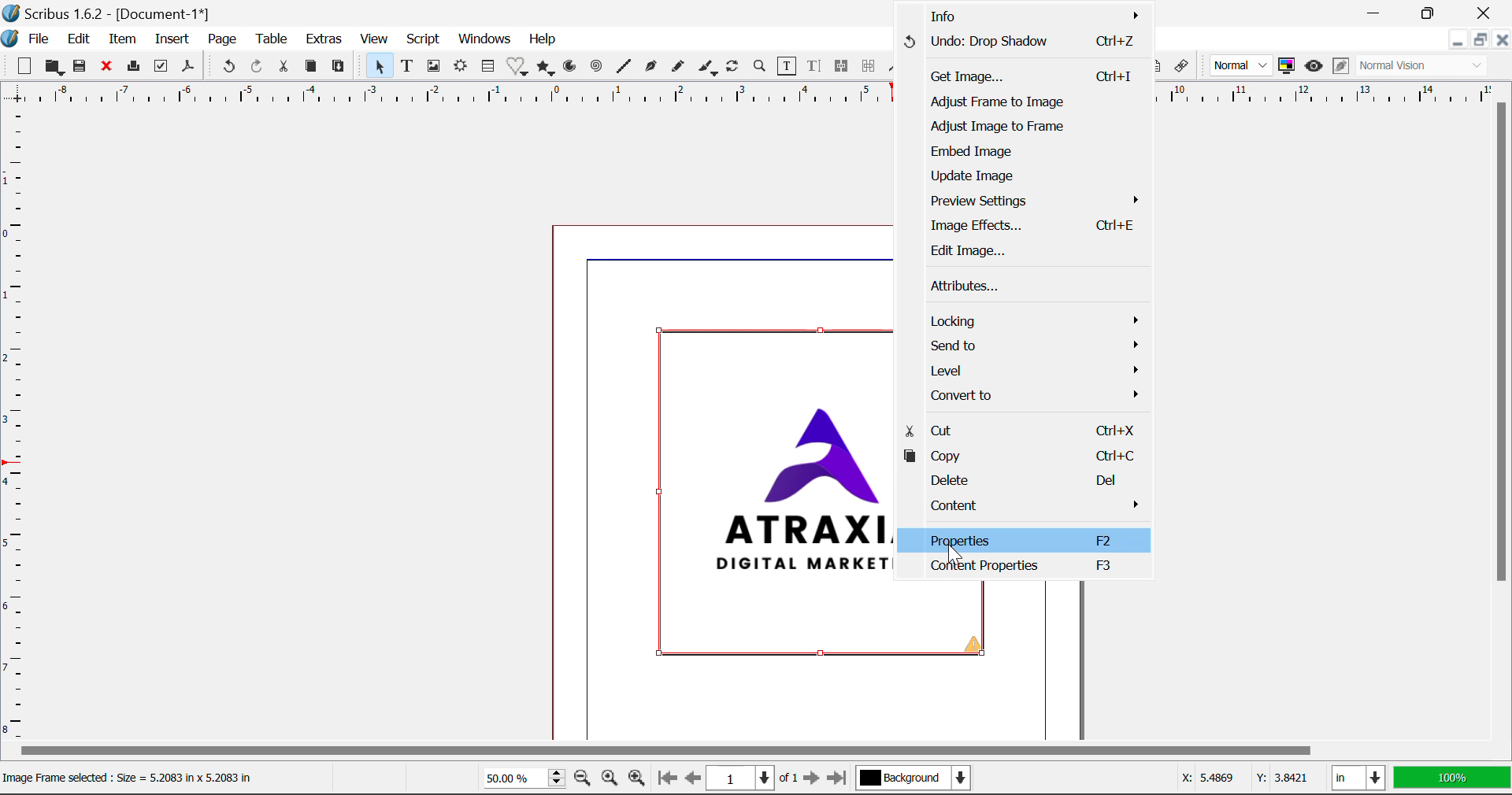 This screenshot has height=795, width=1512. What do you see at coordinates (19, 429) in the screenshot?
I see `Horizontal Page Margins` at bounding box center [19, 429].